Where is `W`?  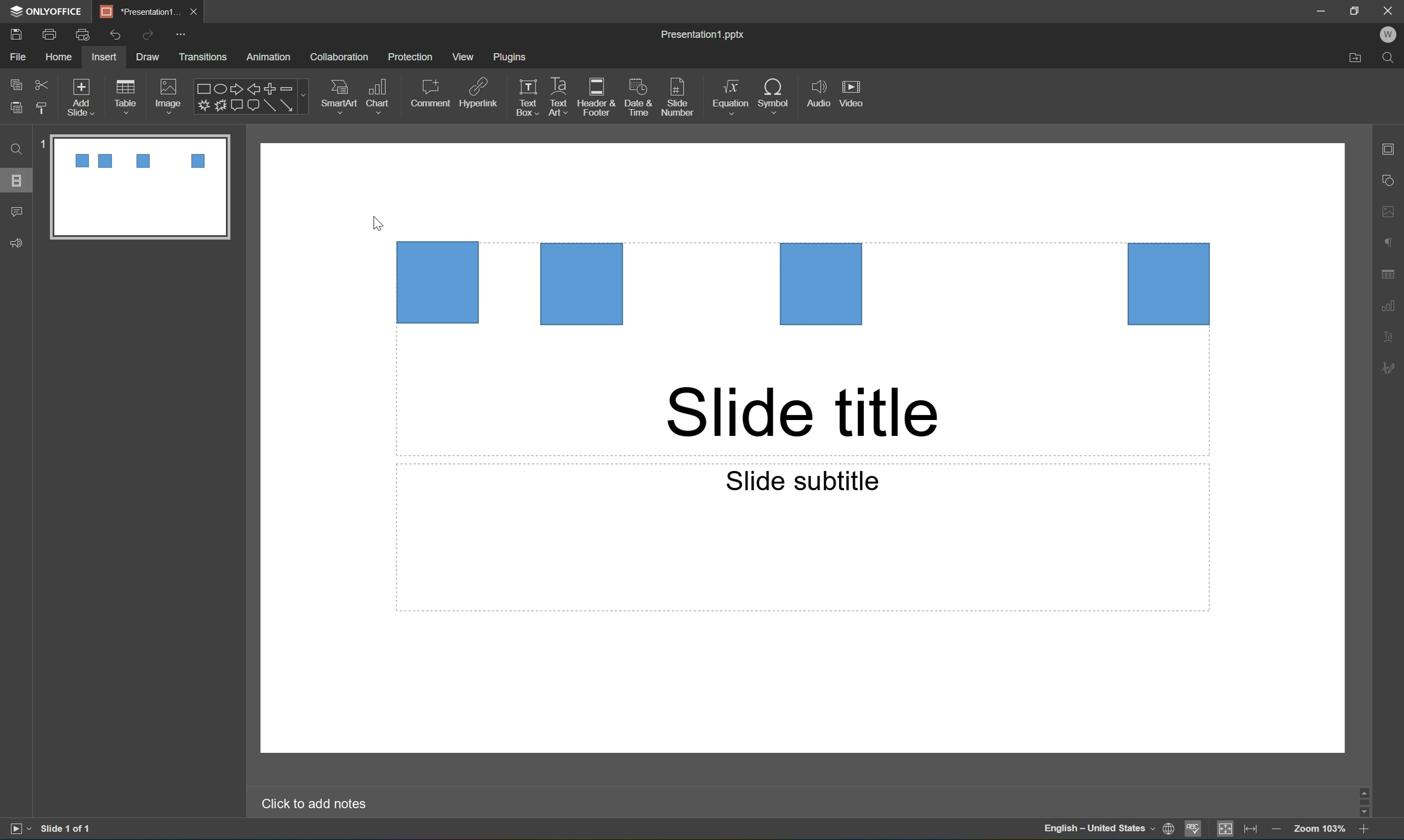 W is located at coordinates (1392, 35).